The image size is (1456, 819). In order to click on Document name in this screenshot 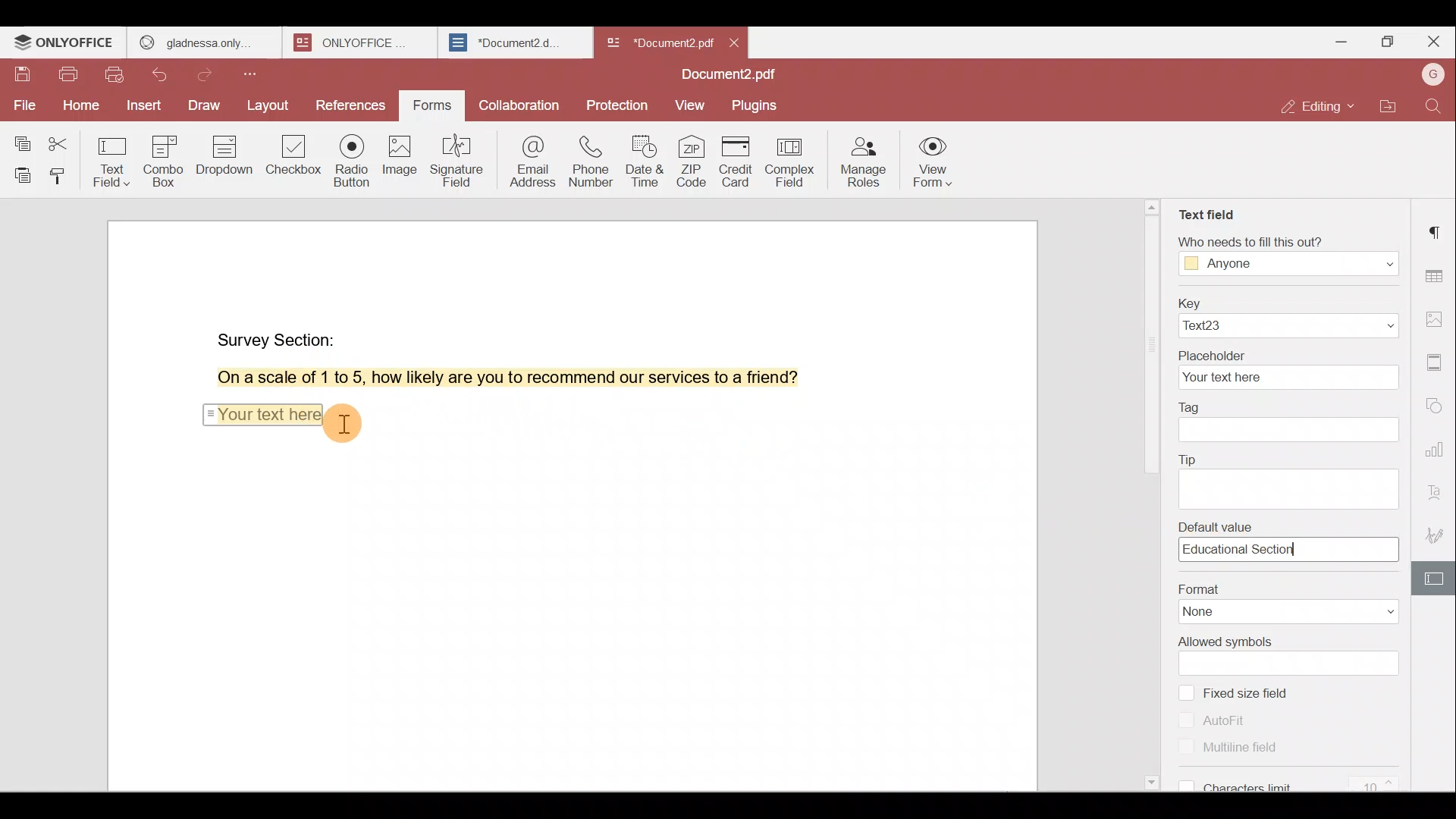, I will do `click(733, 76)`.